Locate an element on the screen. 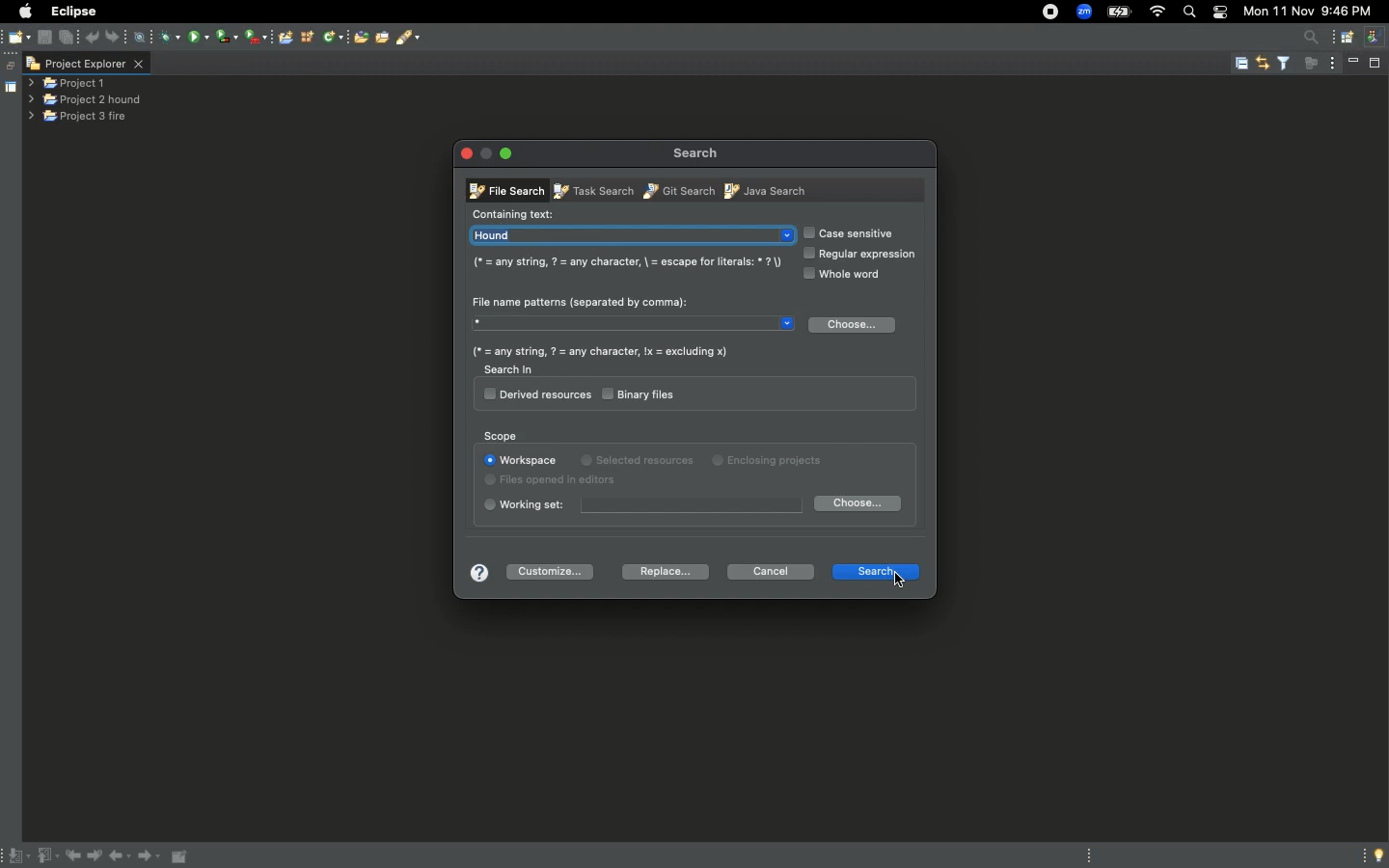  Apple logo is located at coordinates (26, 11).